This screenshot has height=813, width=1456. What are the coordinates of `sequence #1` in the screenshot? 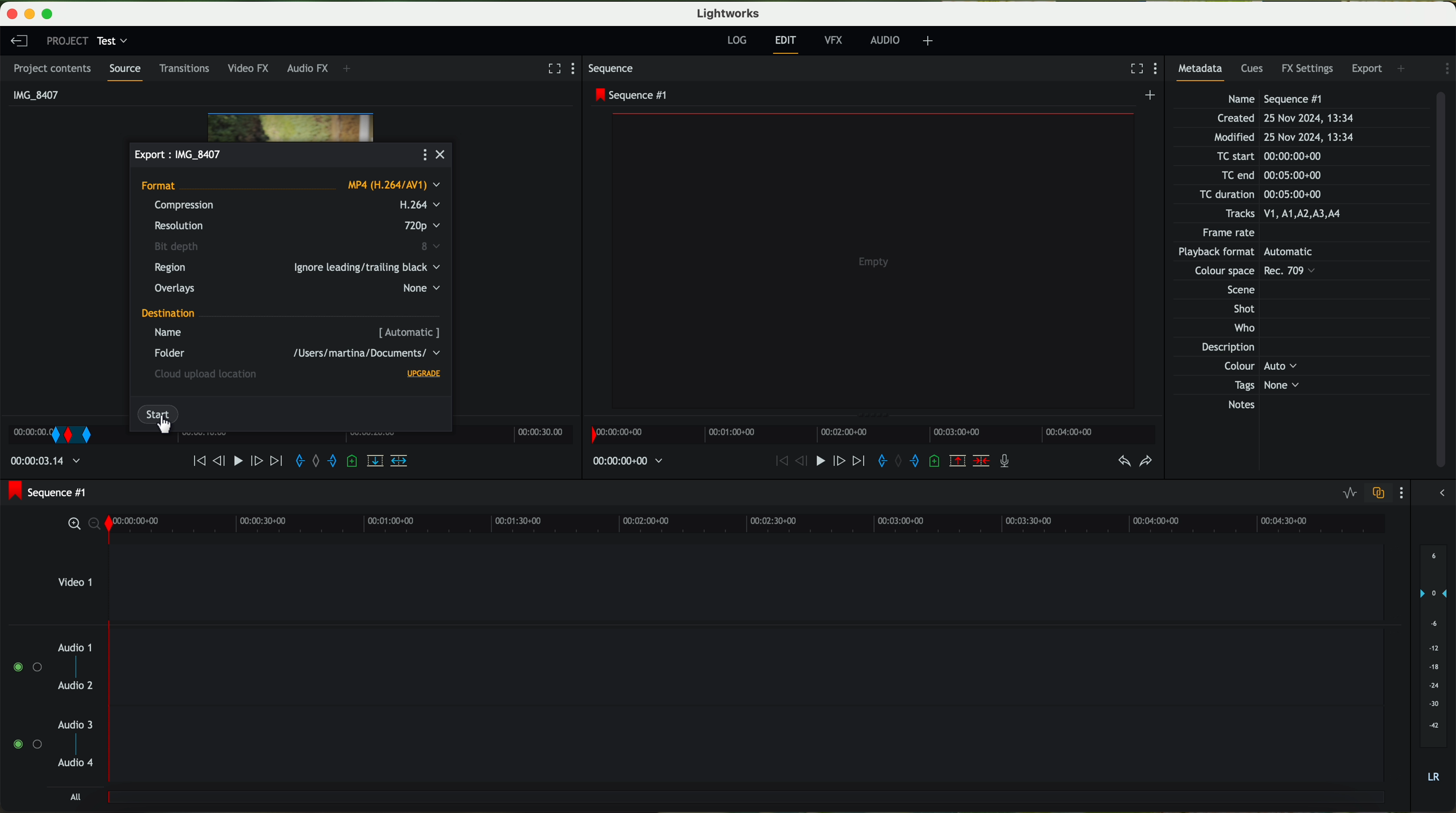 It's located at (631, 95).